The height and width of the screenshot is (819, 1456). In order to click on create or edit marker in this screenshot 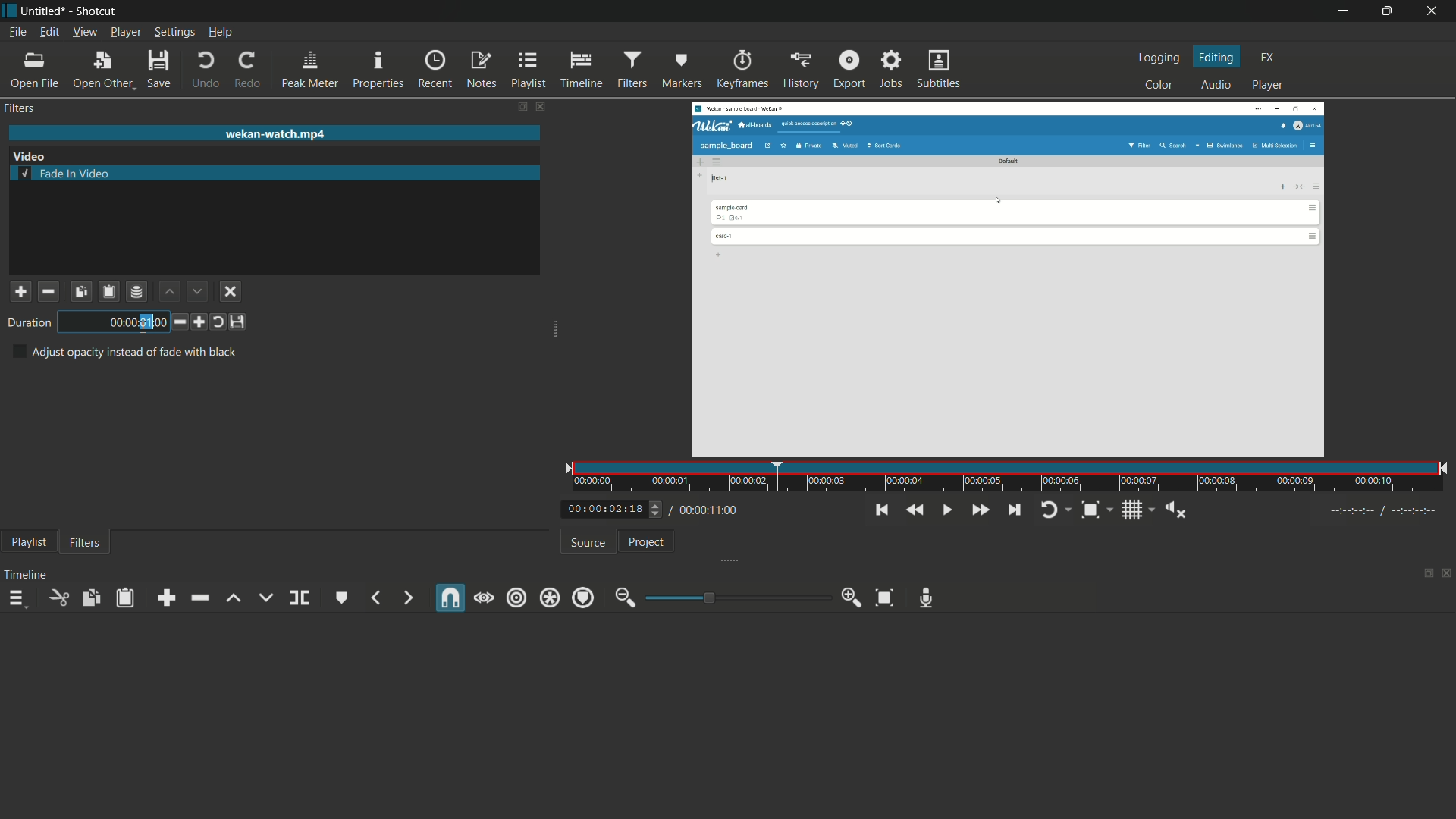, I will do `click(342, 598)`.